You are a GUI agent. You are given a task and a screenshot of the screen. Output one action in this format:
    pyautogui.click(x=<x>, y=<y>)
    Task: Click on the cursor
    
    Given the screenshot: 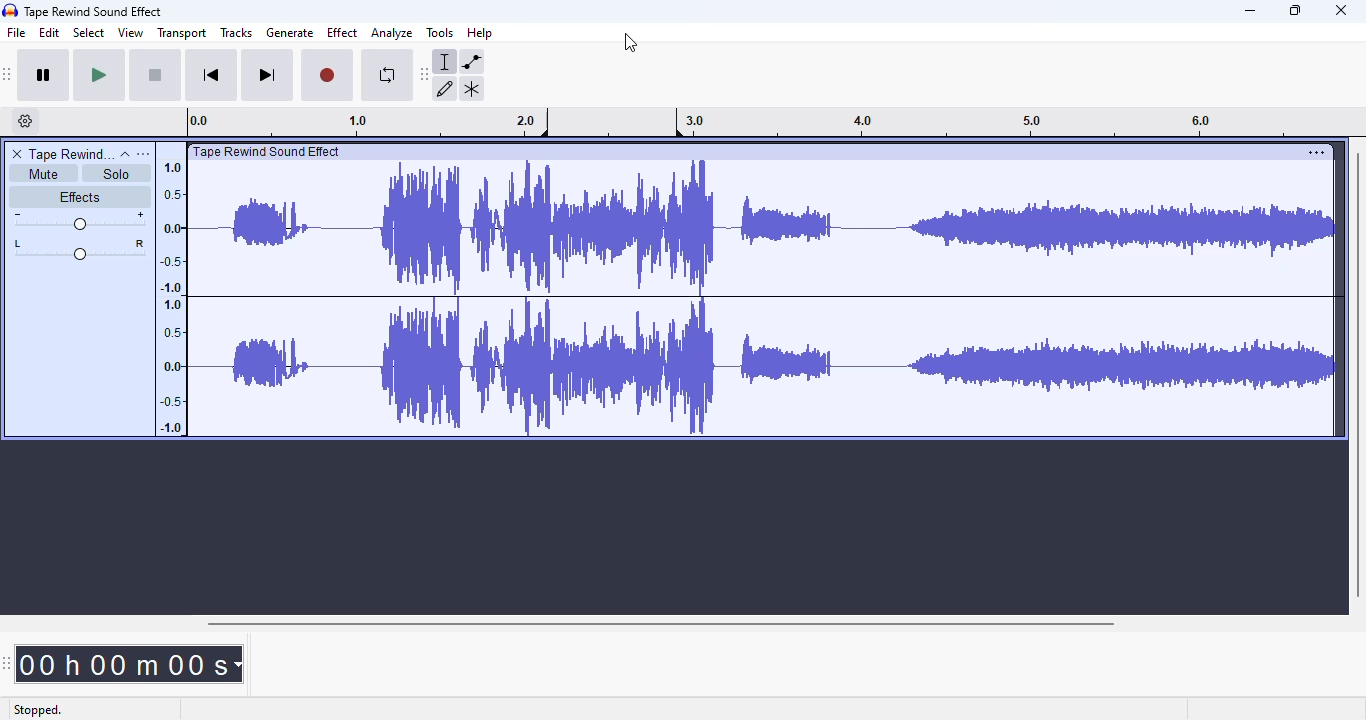 What is the action you would take?
    pyautogui.click(x=631, y=43)
    